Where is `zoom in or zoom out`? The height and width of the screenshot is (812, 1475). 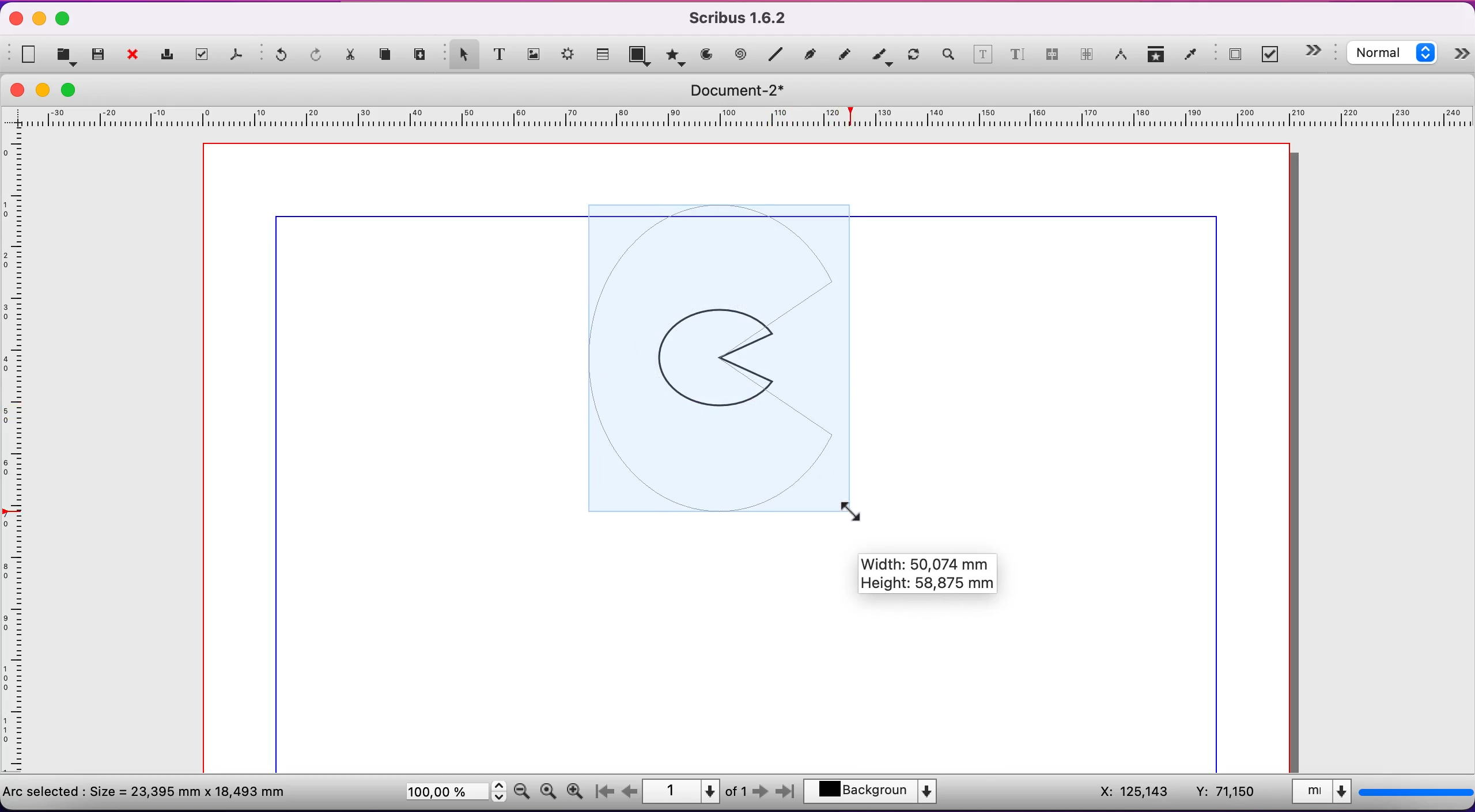
zoom in or zoom out is located at coordinates (947, 56).